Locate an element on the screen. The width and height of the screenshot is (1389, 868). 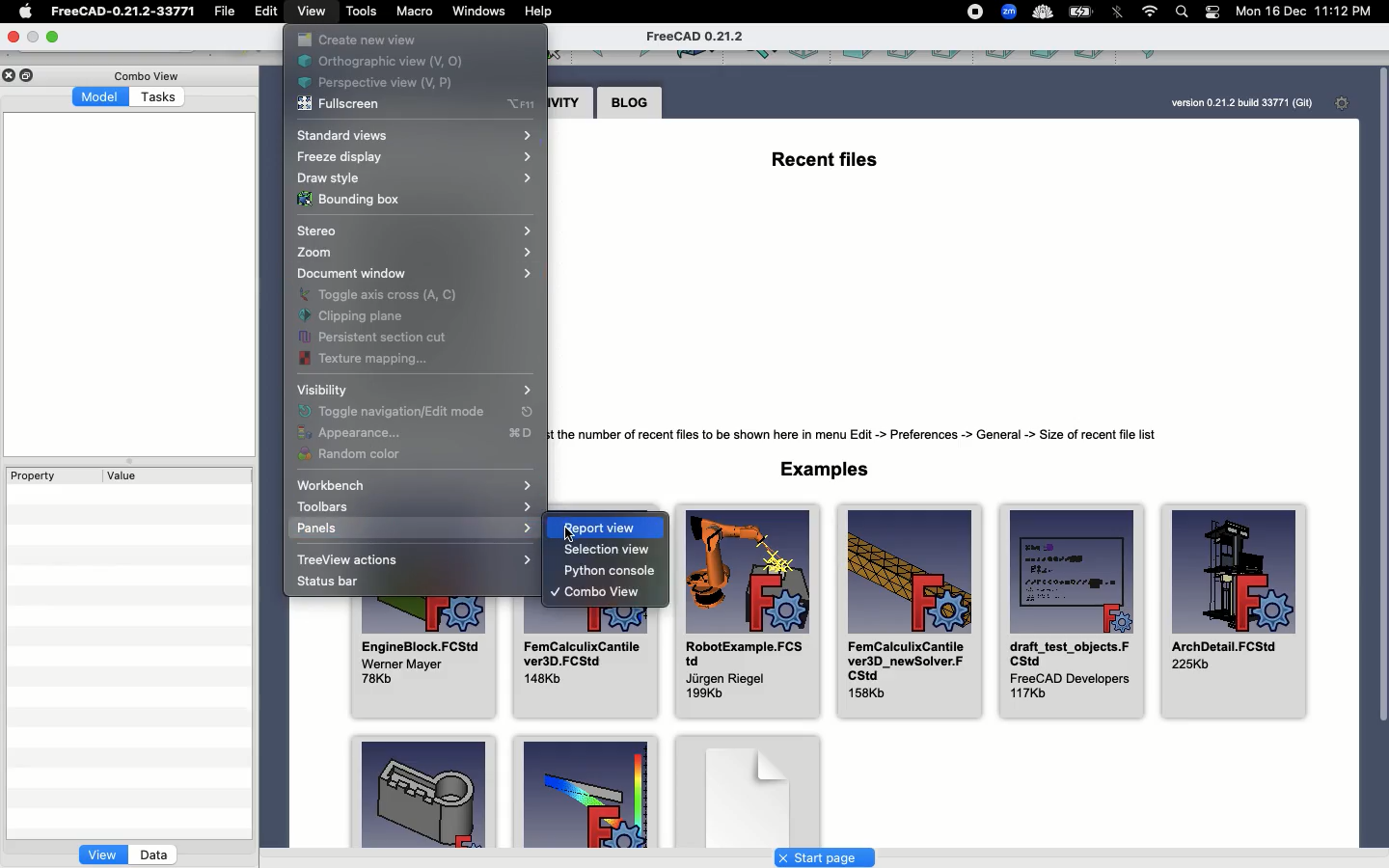
Examples is located at coordinates (828, 470).